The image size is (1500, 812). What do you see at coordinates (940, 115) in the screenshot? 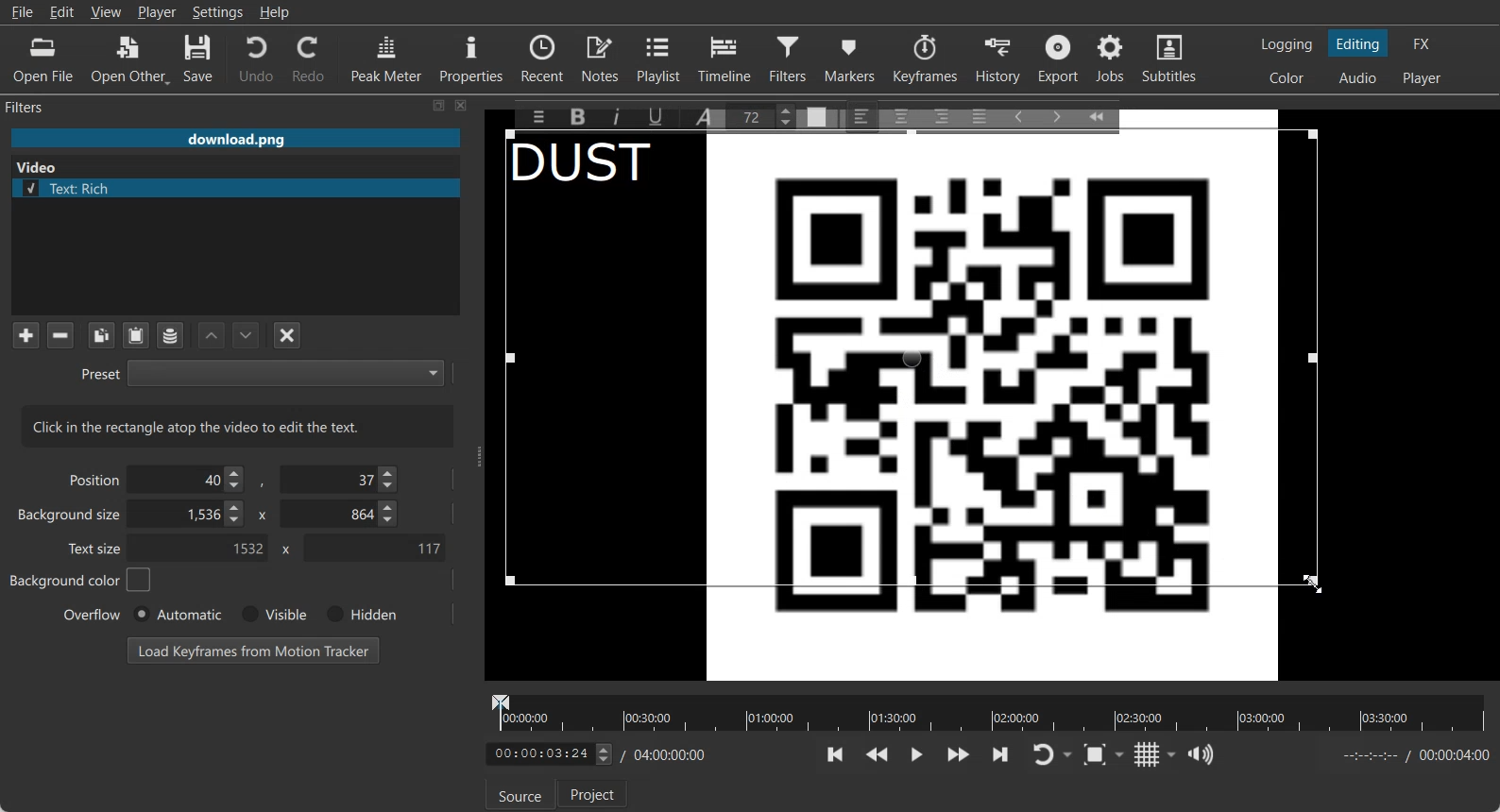
I see `Right` at bounding box center [940, 115].